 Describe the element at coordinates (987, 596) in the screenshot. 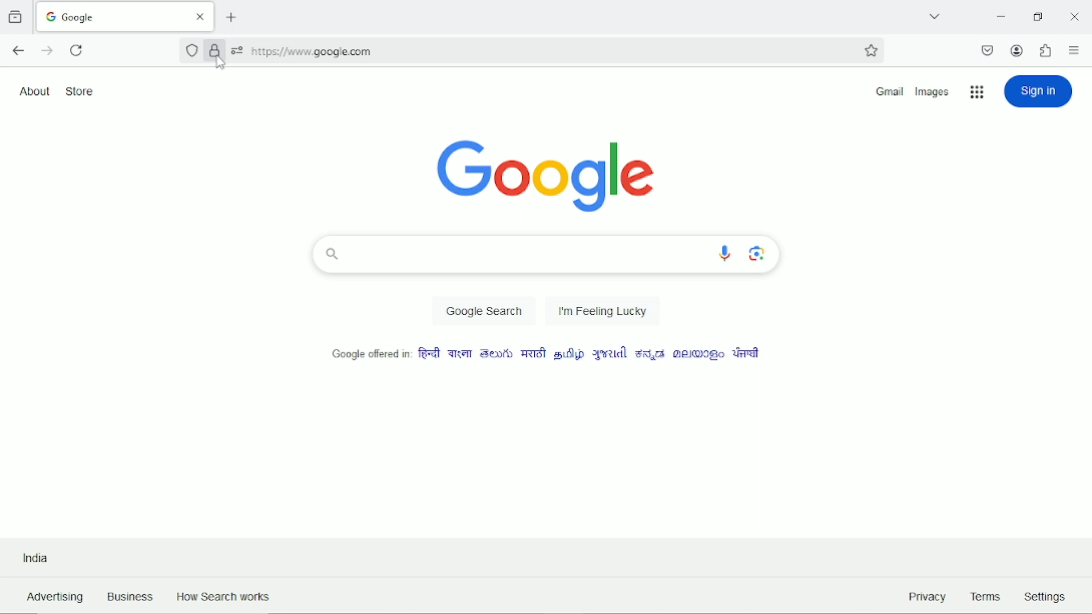

I see `Terms` at that location.